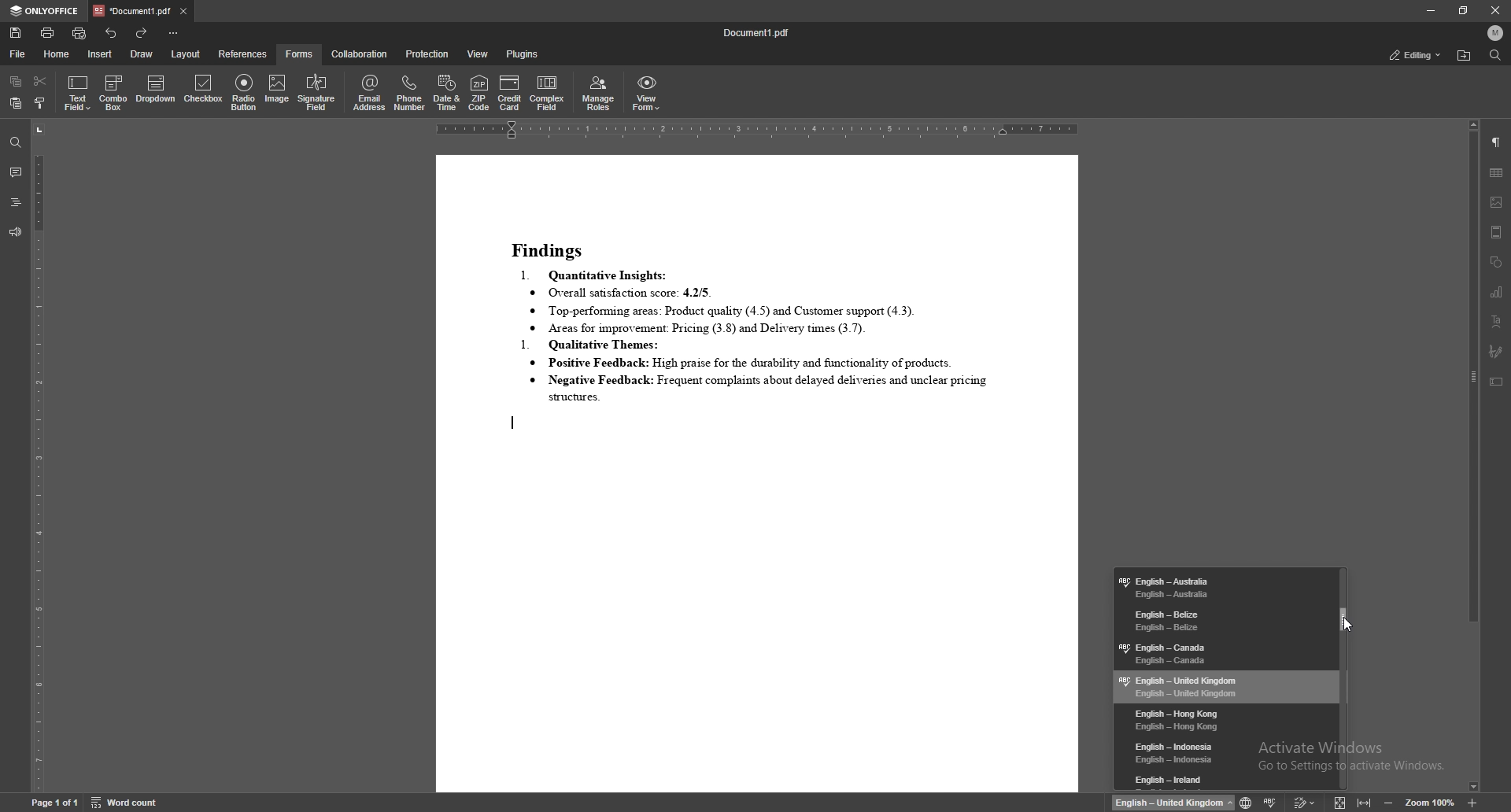  I want to click on language, so click(1225, 687).